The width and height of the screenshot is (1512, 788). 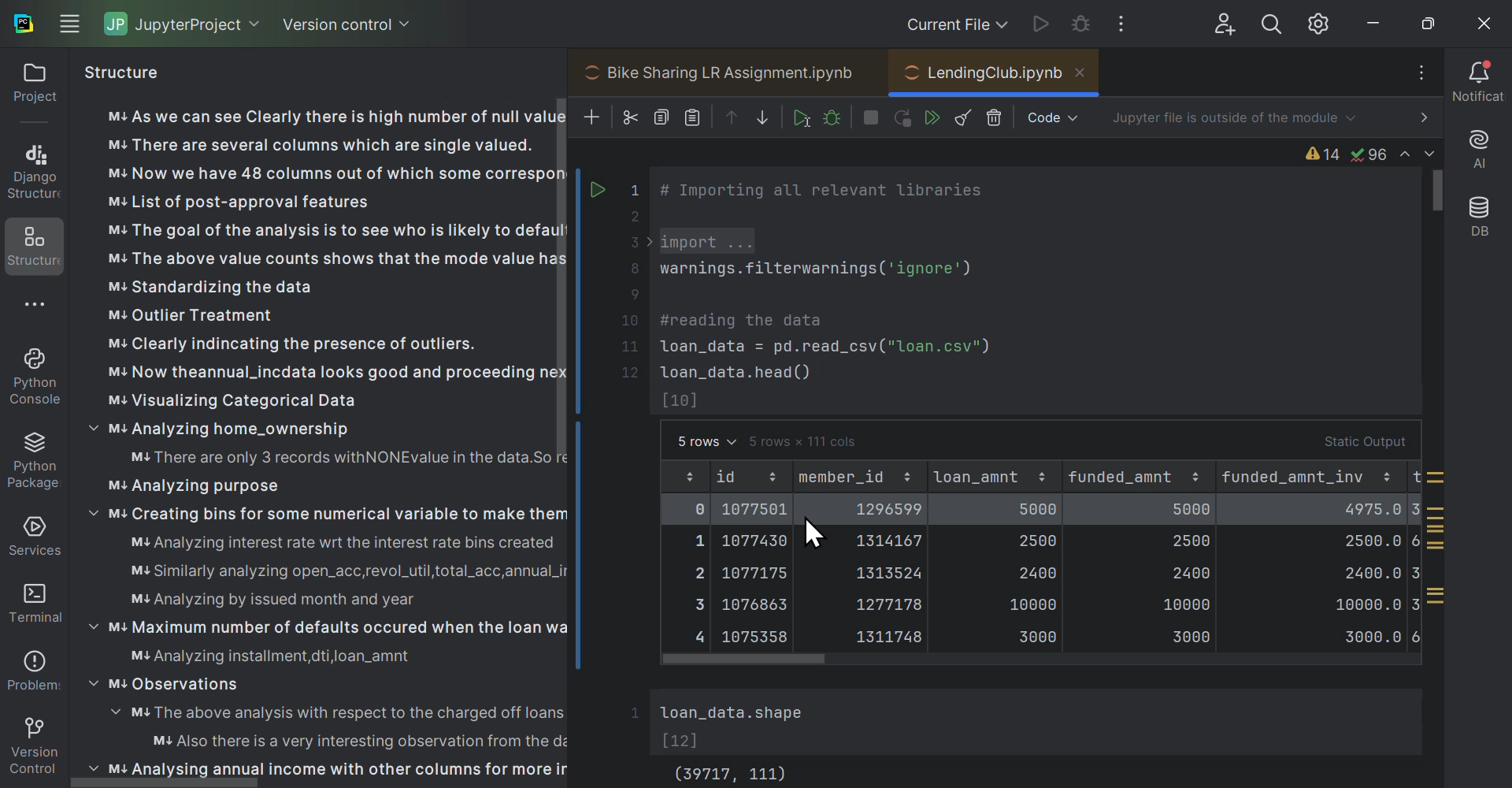 What do you see at coordinates (598, 190) in the screenshot?
I see `arrow` at bounding box center [598, 190].